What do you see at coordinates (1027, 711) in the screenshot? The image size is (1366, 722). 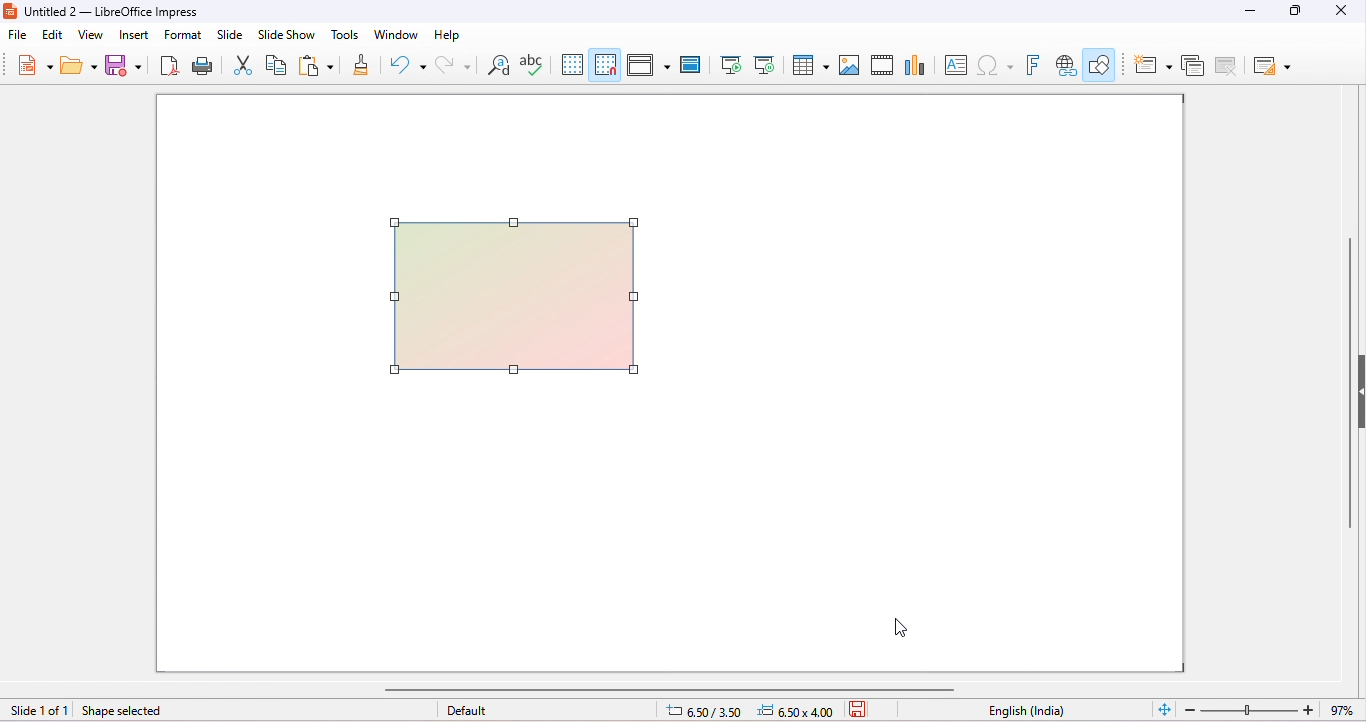 I see `English (India)` at bounding box center [1027, 711].